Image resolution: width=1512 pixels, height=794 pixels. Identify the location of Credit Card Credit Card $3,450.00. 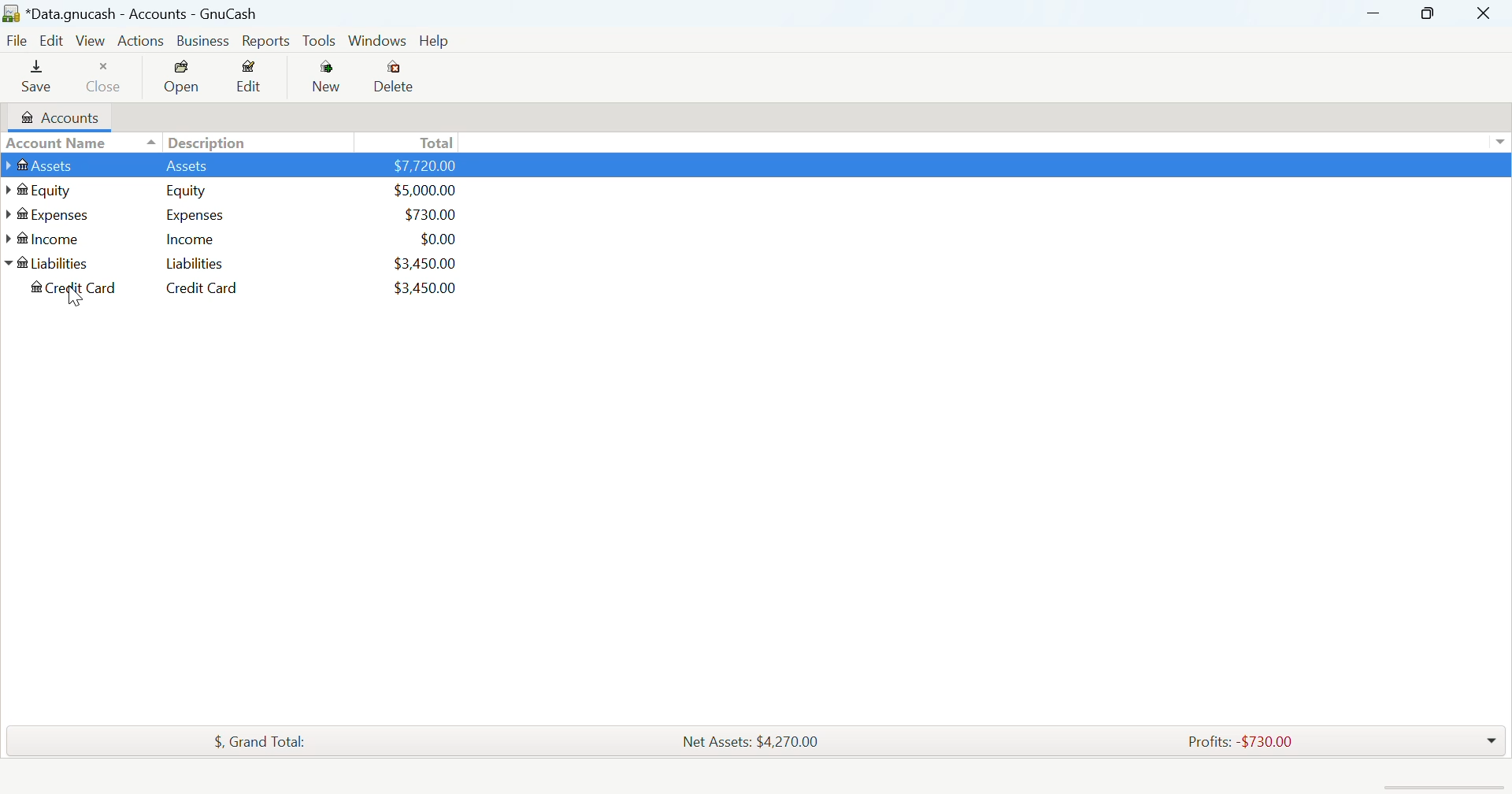
(251, 291).